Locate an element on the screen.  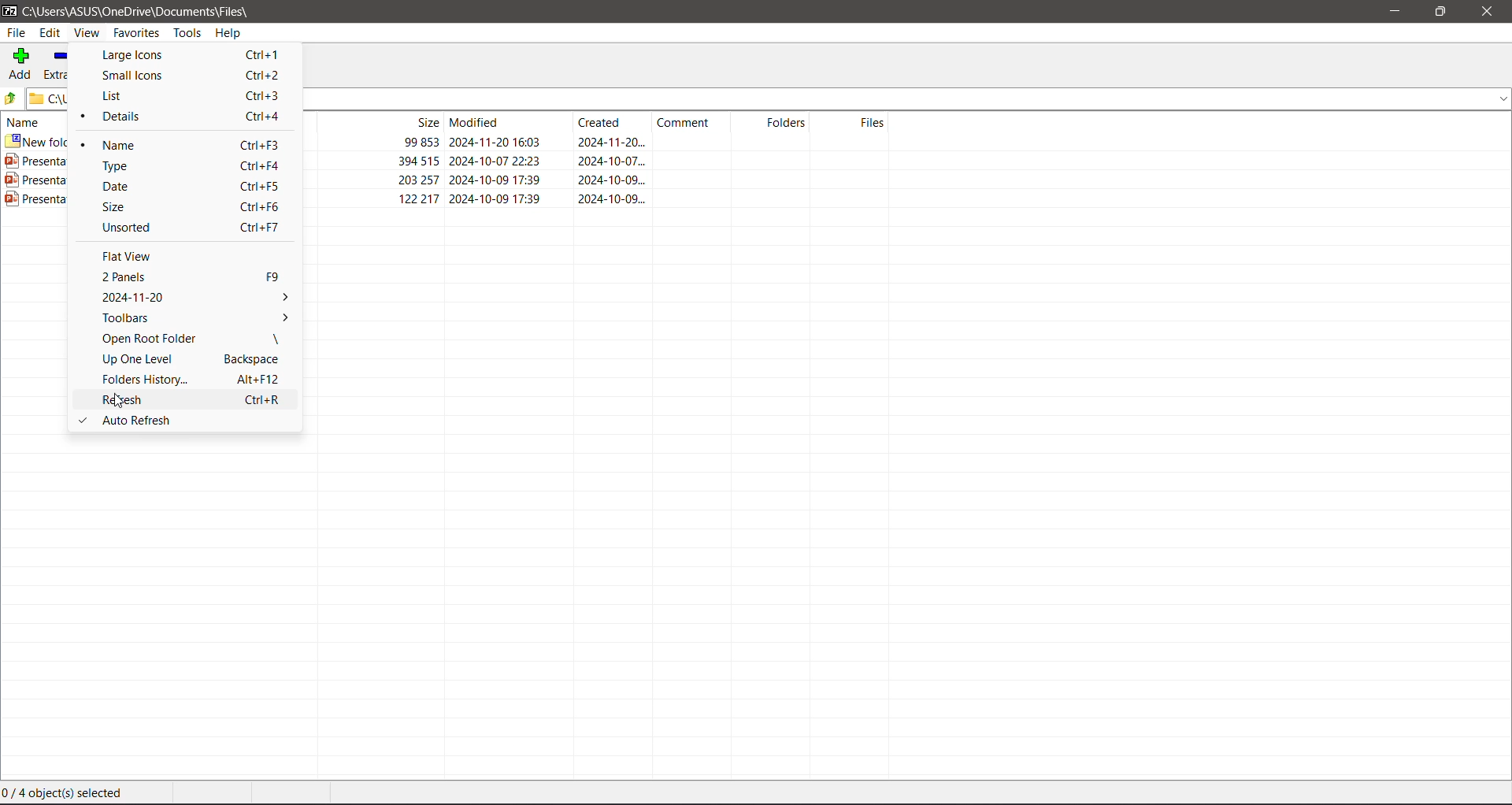
Open Root Folder is located at coordinates (150, 338).